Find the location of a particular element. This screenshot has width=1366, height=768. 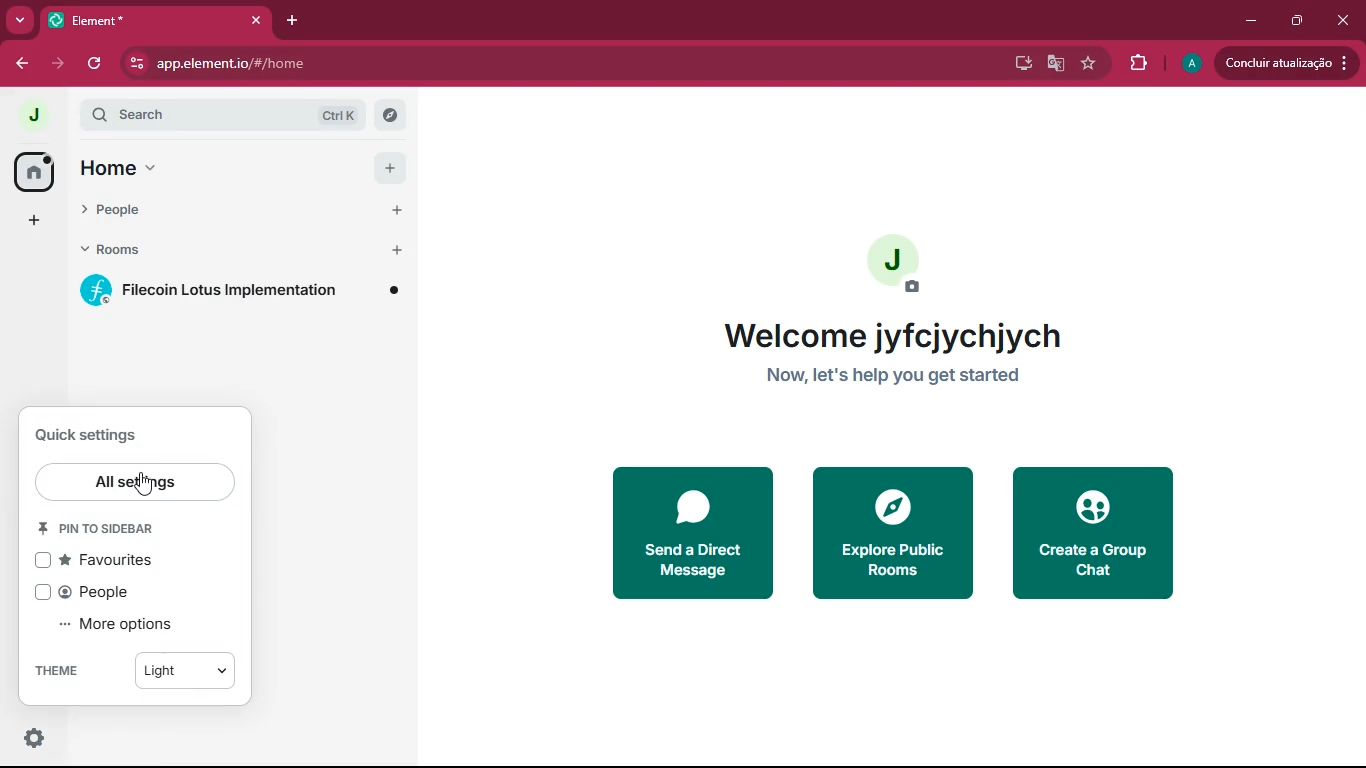

create a group chat is located at coordinates (1088, 536).